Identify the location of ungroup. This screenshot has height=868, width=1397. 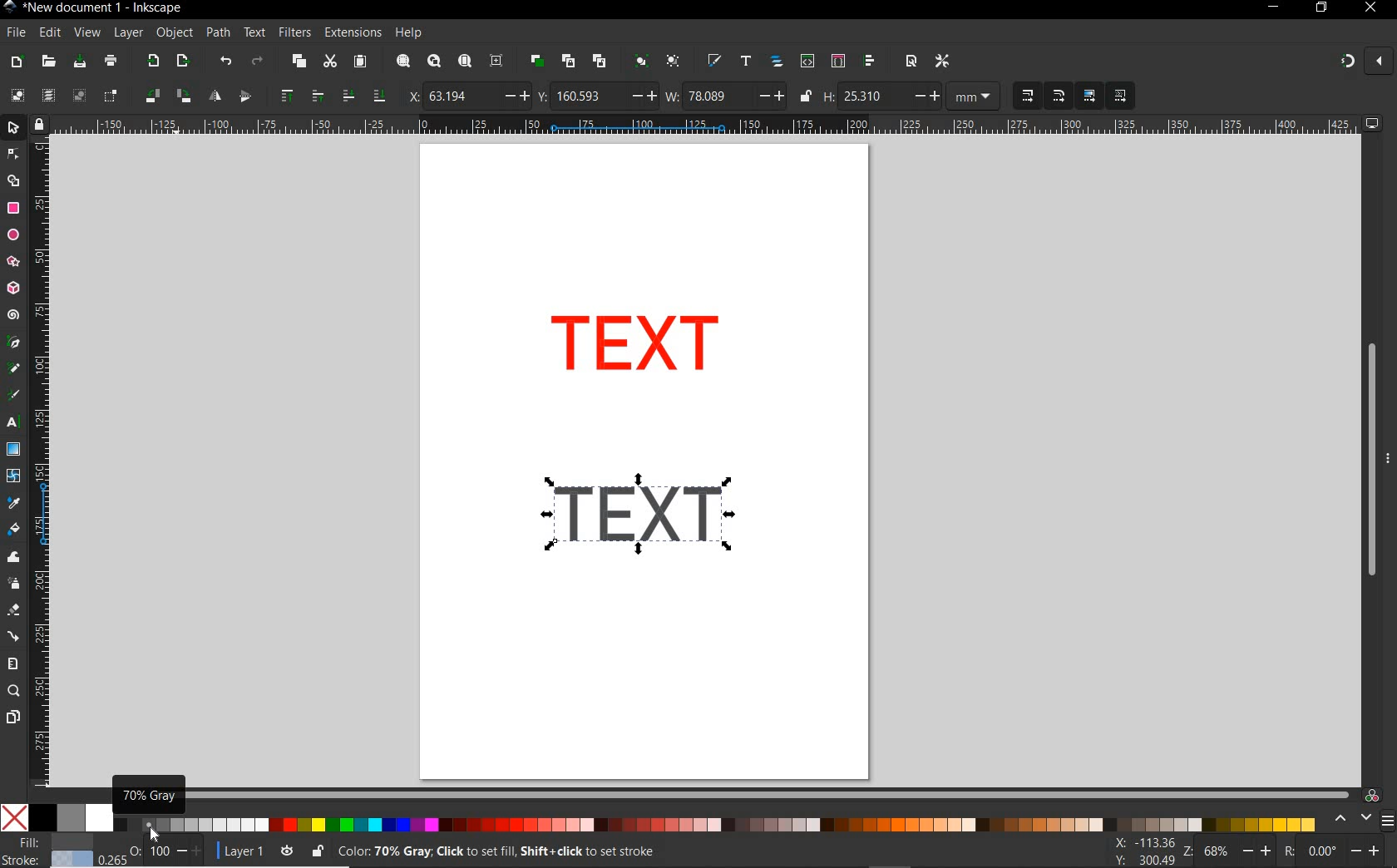
(673, 62).